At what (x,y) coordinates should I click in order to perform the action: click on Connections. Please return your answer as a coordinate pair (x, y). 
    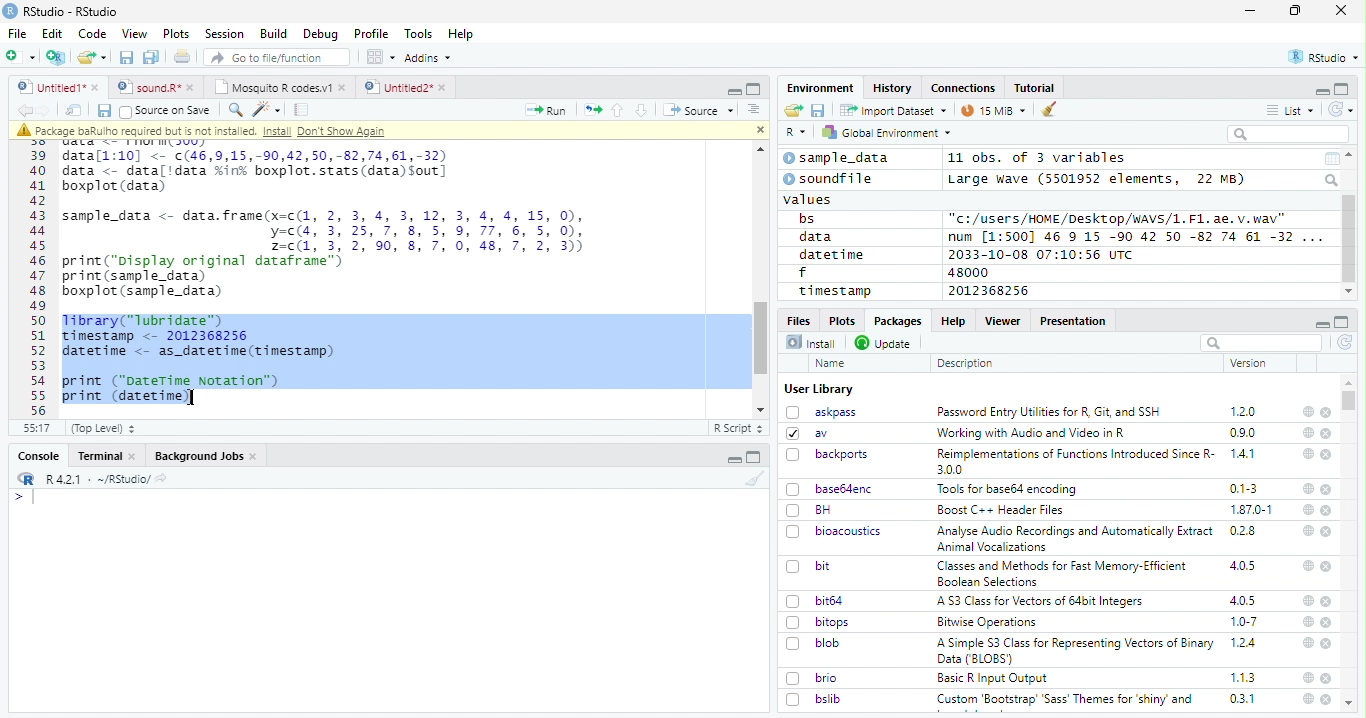
    Looking at the image, I should click on (962, 88).